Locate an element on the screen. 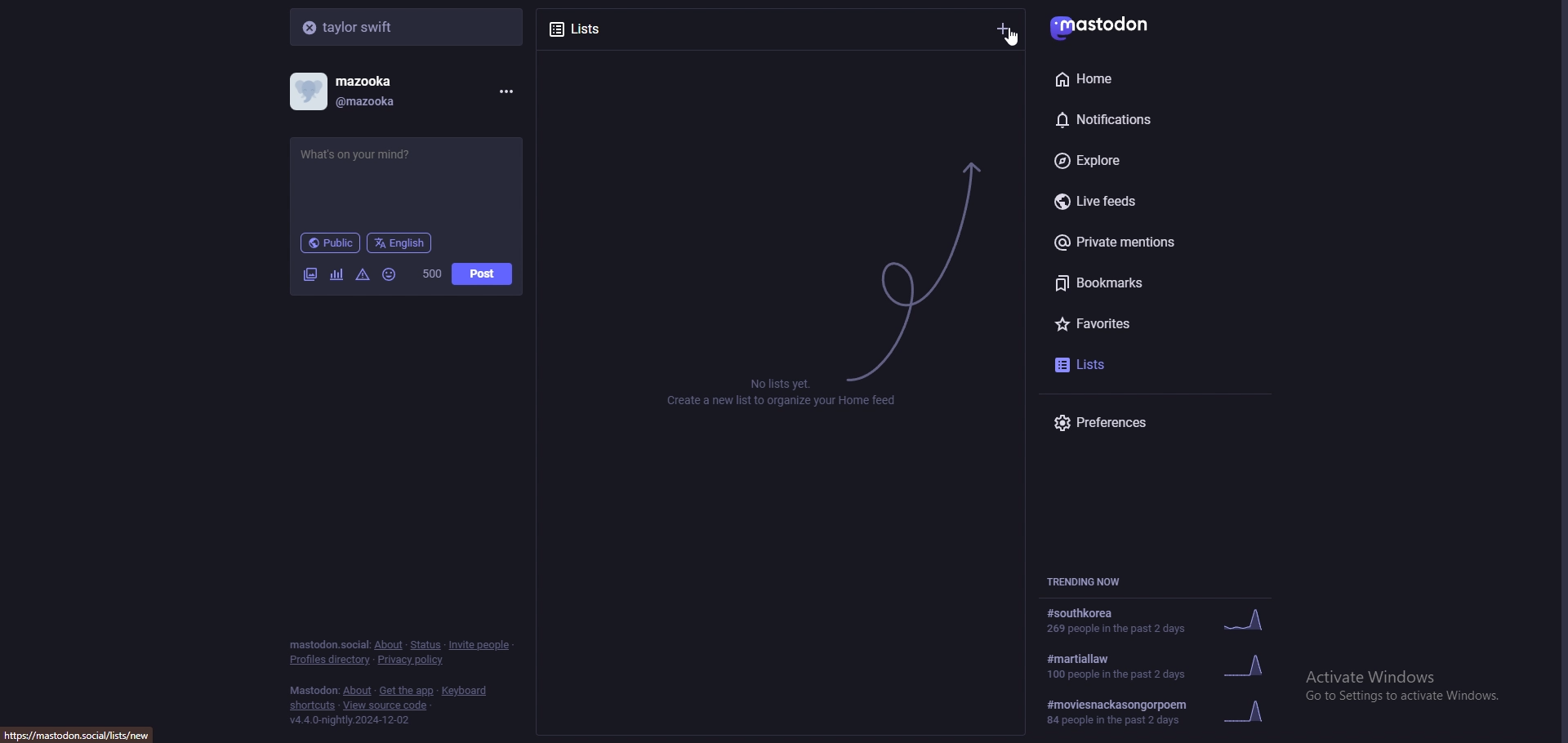 The width and height of the screenshot is (1568, 743). language is located at coordinates (400, 242).